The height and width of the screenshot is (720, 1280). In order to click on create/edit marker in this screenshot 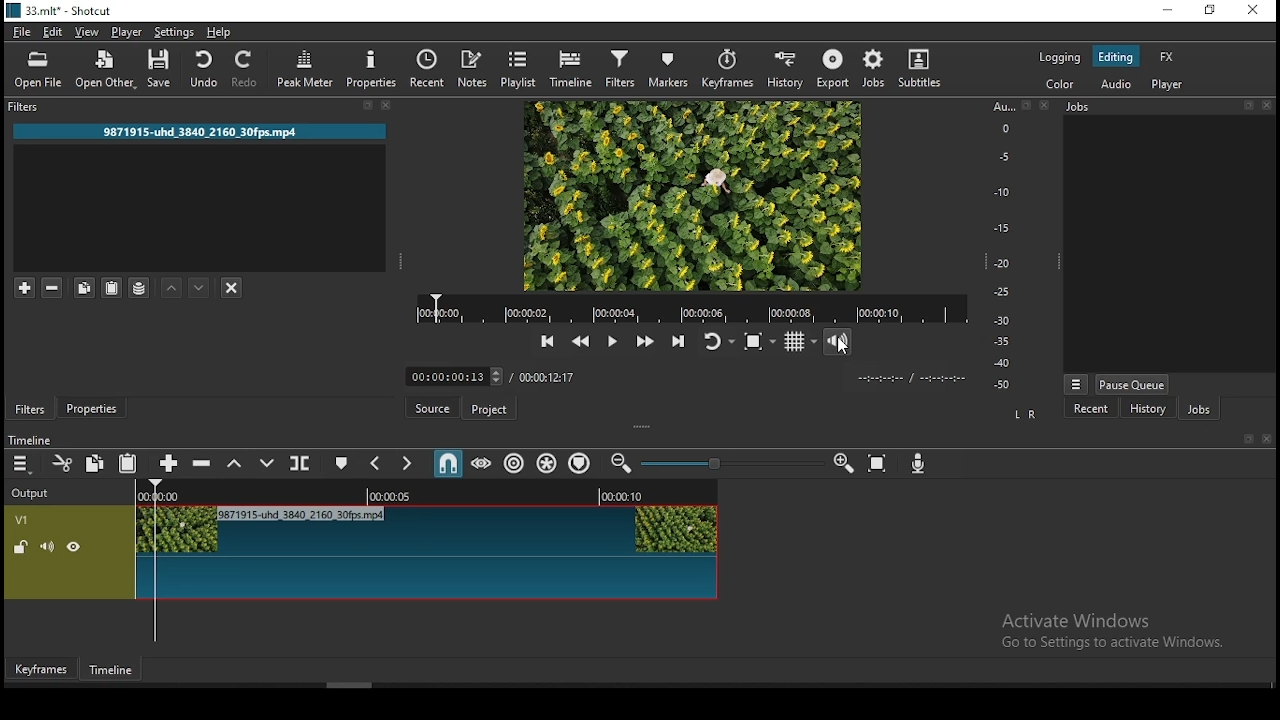, I will do `click(342, 464)`.